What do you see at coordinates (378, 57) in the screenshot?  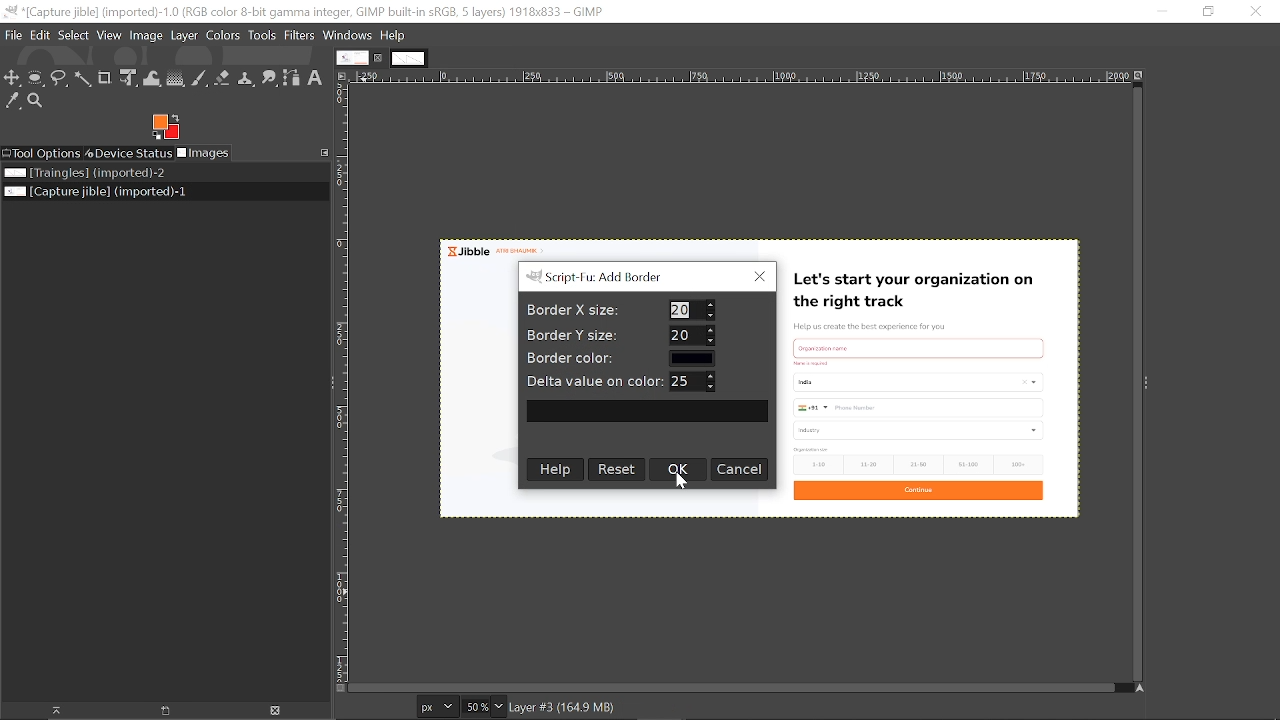 I see `Close current tab` at bounding box center [378, 57].